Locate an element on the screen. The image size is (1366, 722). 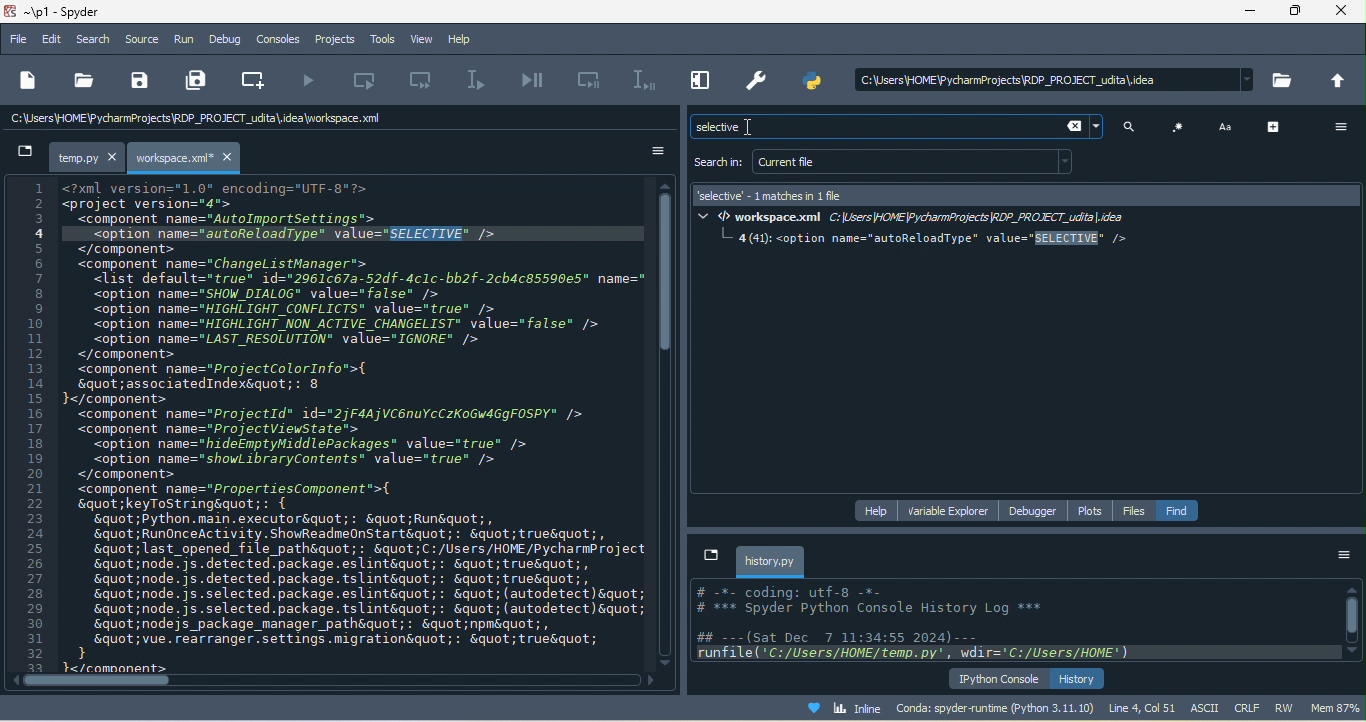
search is located at coordinates (1134, 128).